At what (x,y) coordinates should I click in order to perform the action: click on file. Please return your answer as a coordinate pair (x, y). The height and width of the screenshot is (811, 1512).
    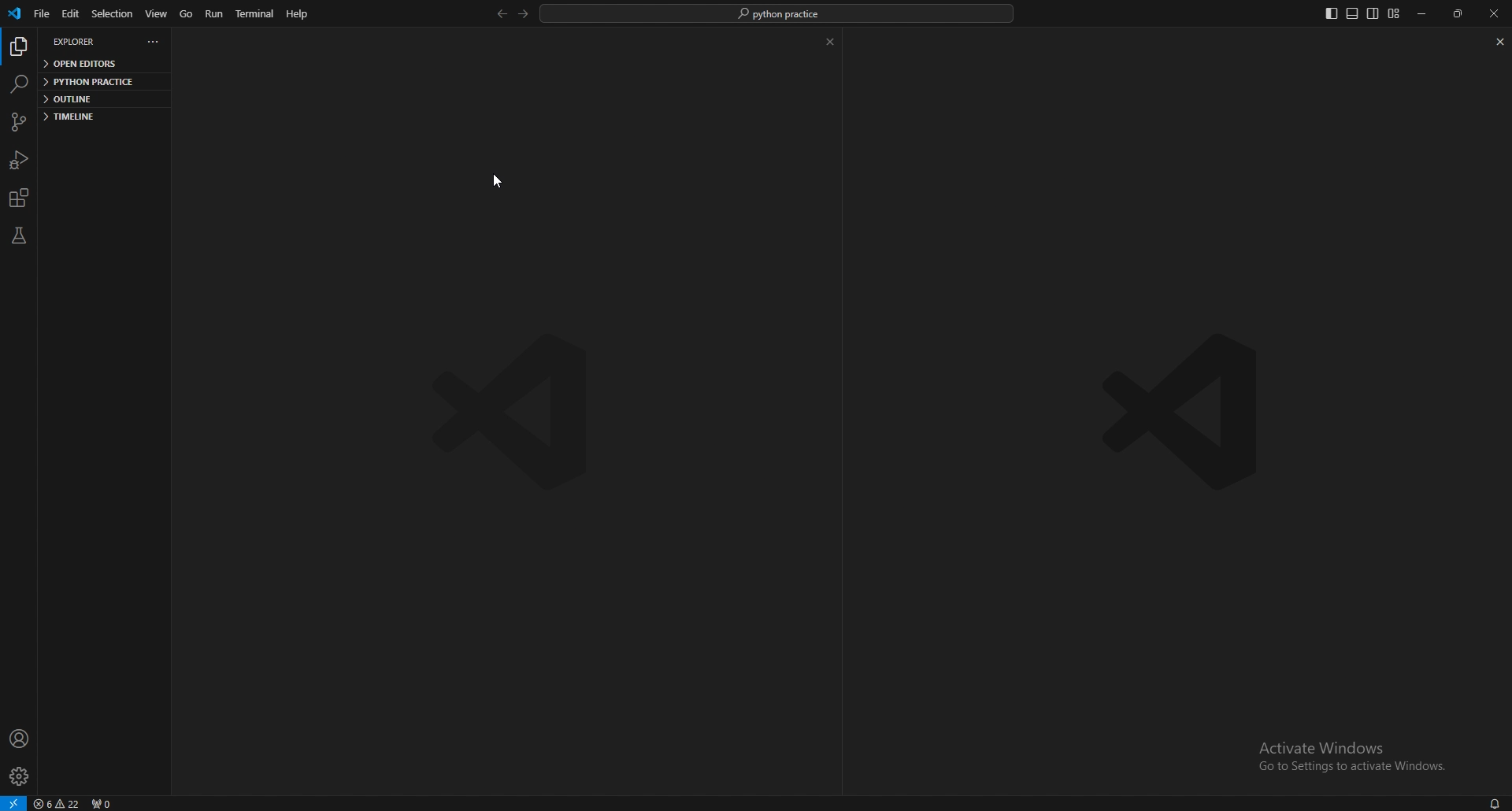
    Looking at the image, I should click on (42, 14).